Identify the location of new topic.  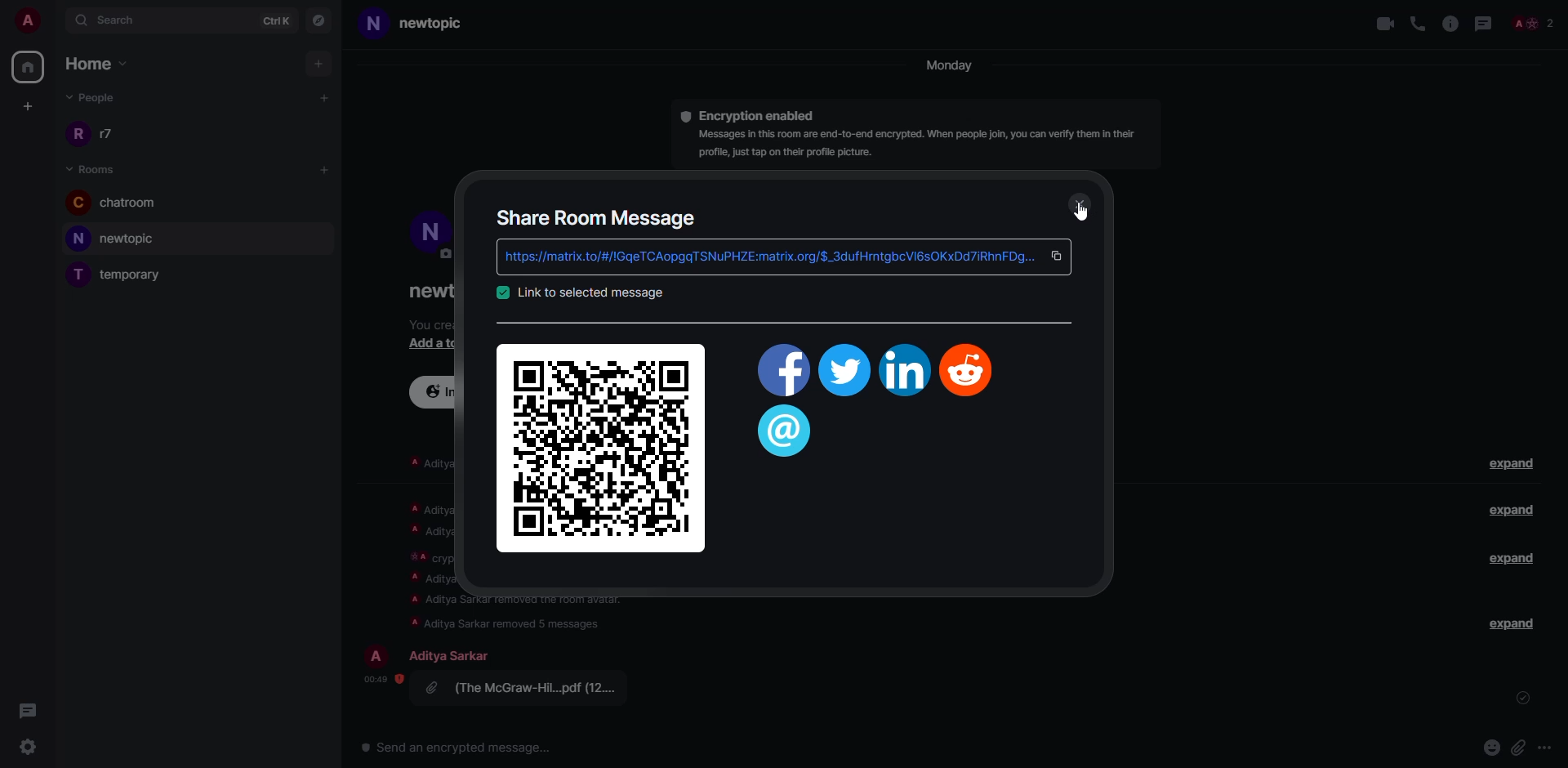
(424, 24).